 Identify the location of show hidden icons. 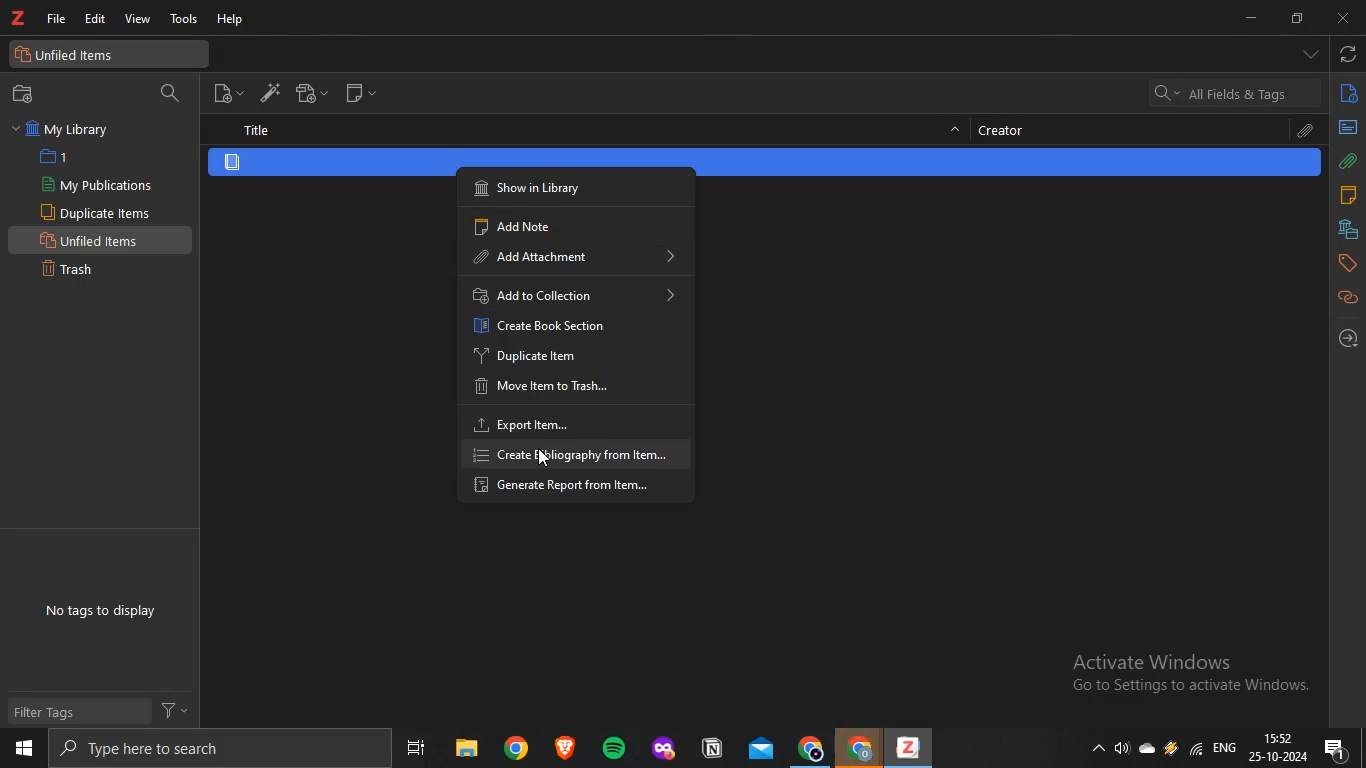
(1095, 746).